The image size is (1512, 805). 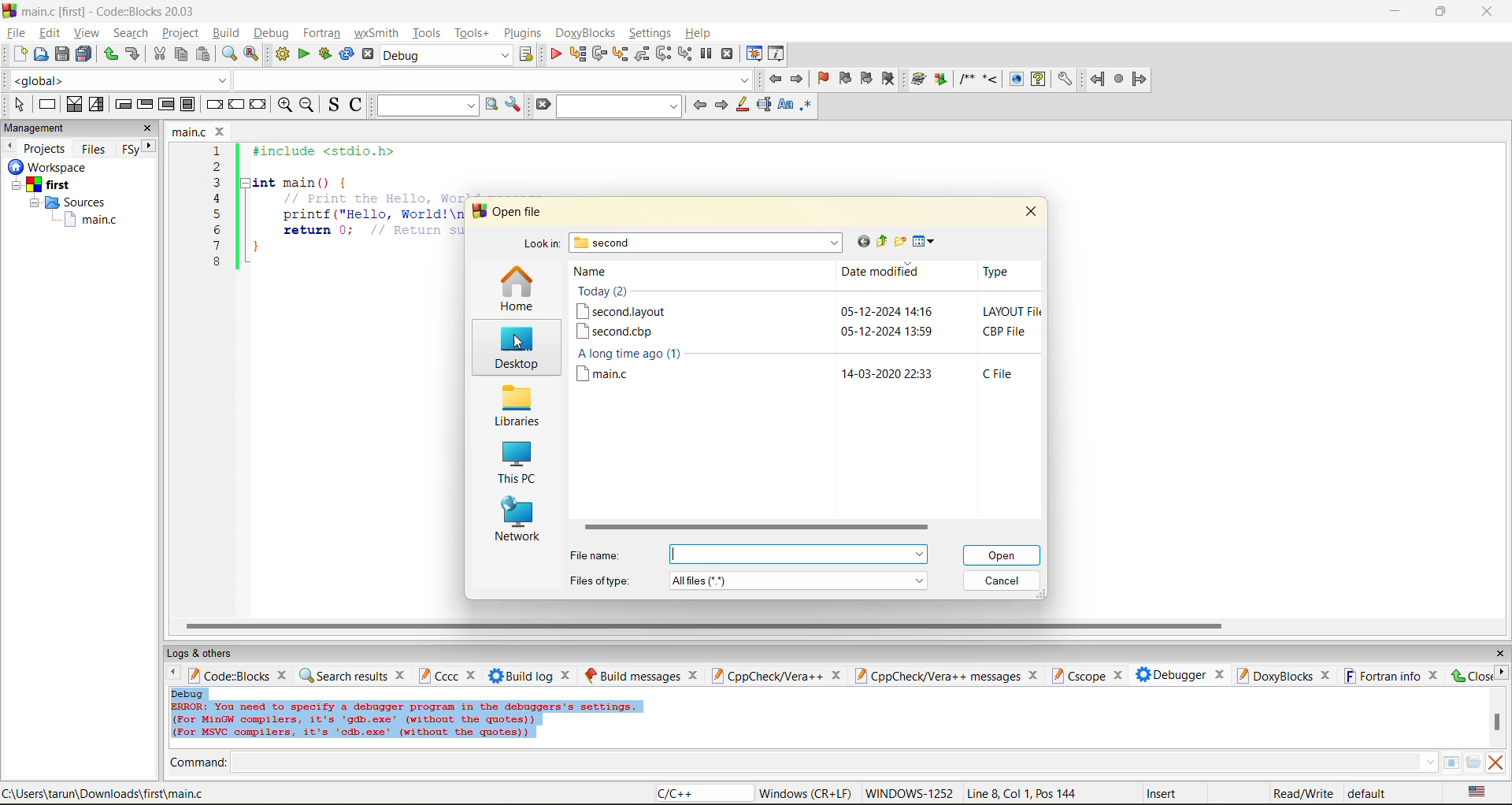 I want to click on Run, so click(x=941, y=79).